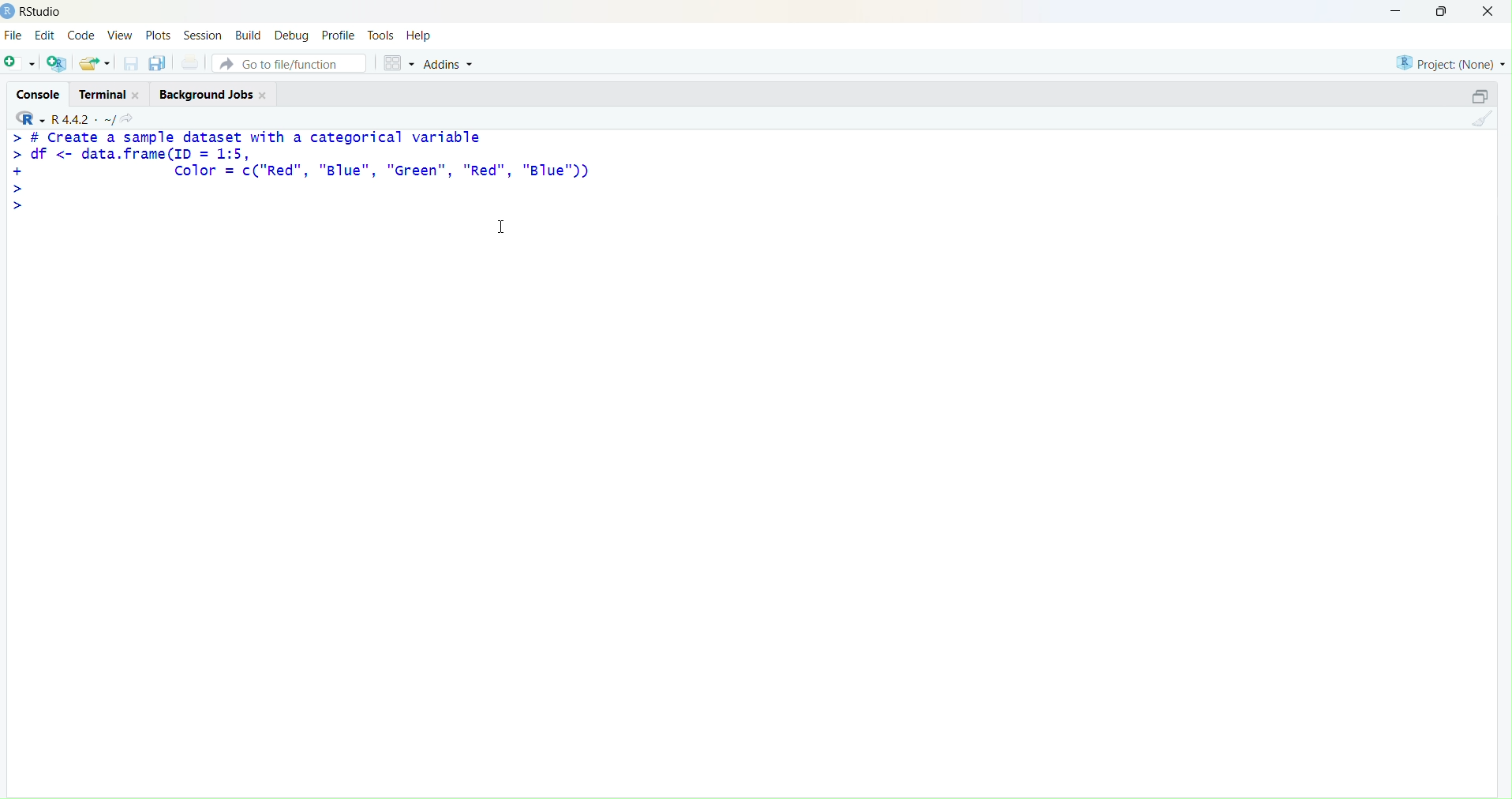 The image size is (1512, 799). Describe the element at coordinates (193, 62) in the screenshot. I see `print` at that location.